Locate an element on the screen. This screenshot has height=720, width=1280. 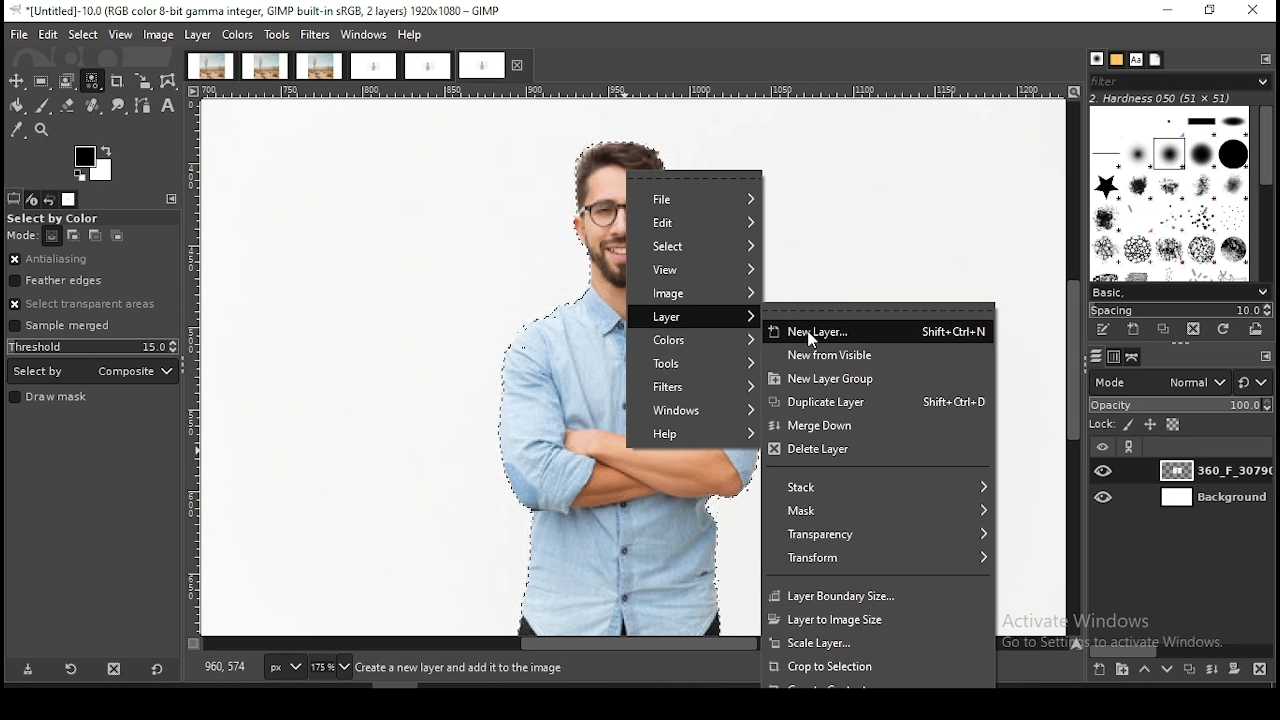
brushes is located at coordinates (1171, 193).